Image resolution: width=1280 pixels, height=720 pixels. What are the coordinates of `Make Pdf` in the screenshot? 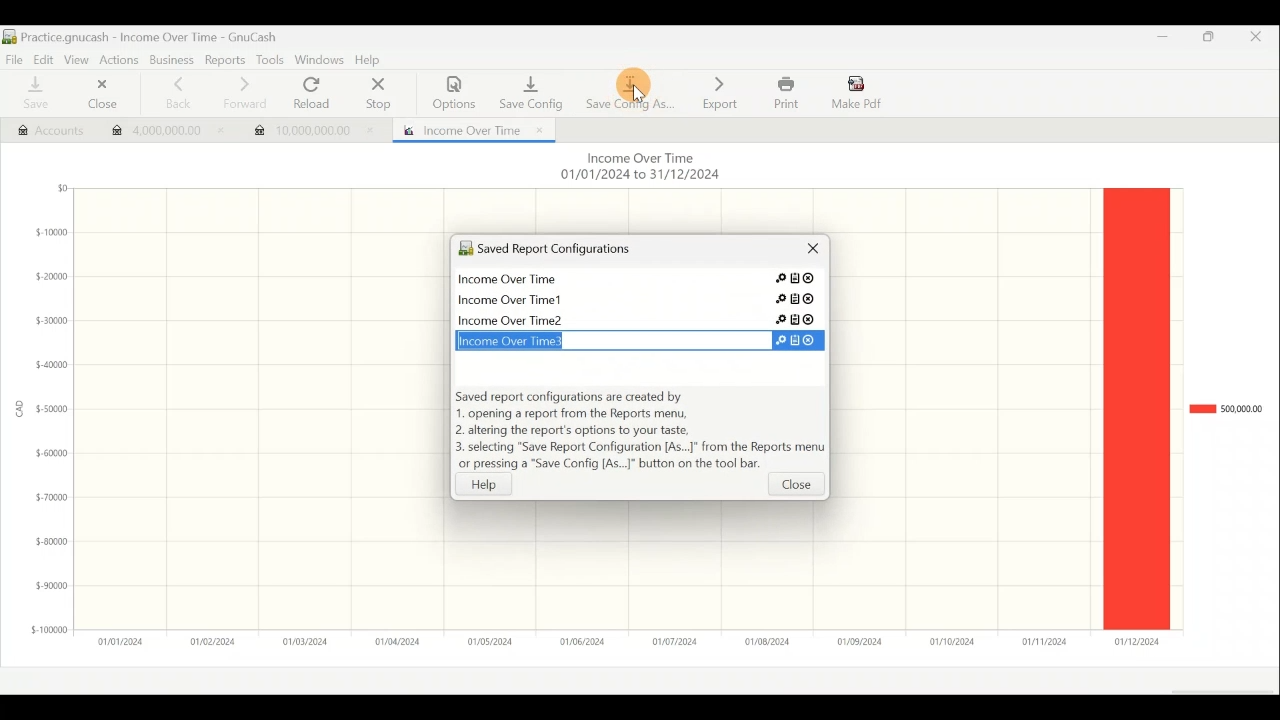 It's located at (858, 91).